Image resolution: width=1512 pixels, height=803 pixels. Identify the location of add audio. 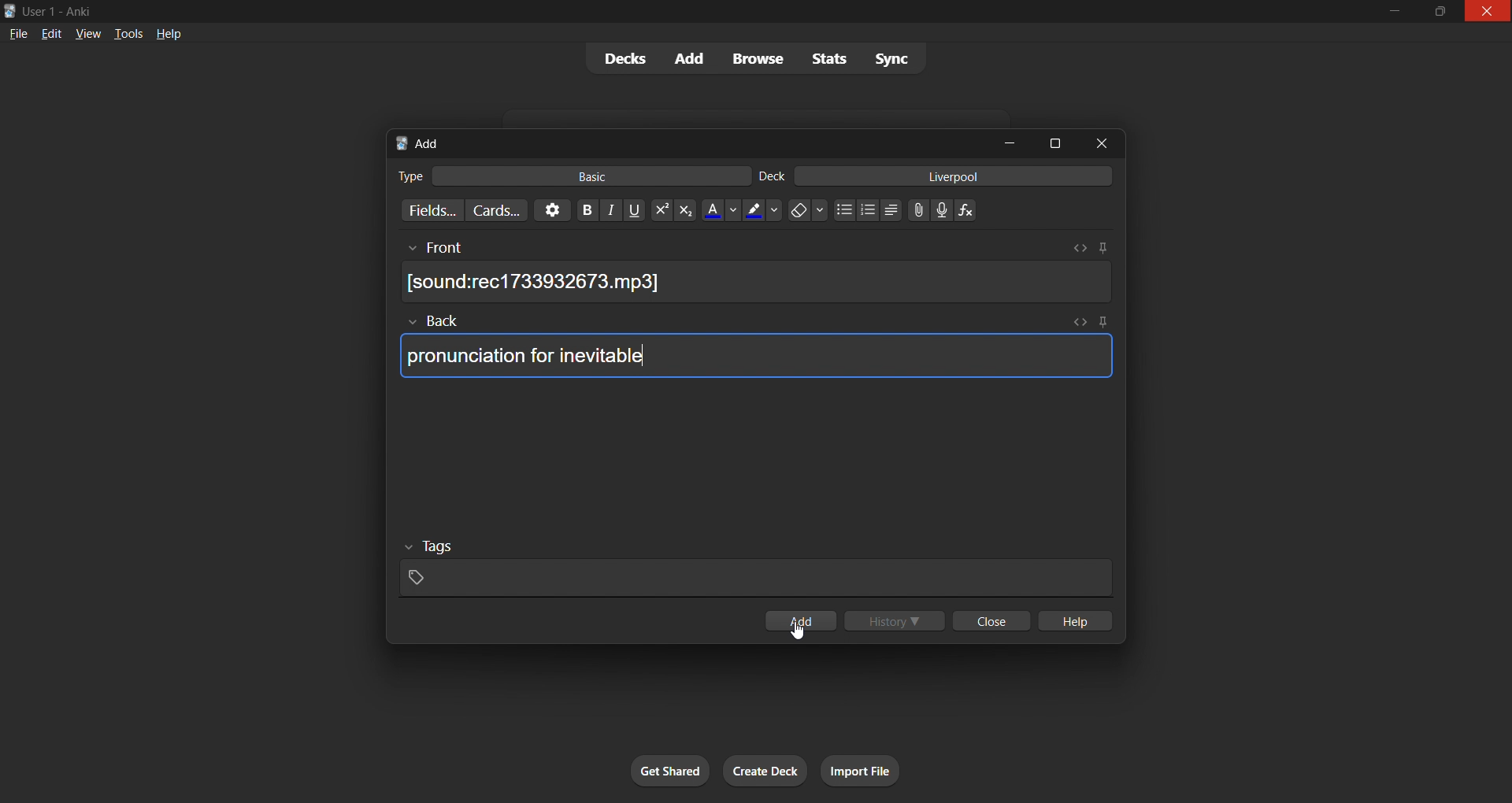
(942, 209).